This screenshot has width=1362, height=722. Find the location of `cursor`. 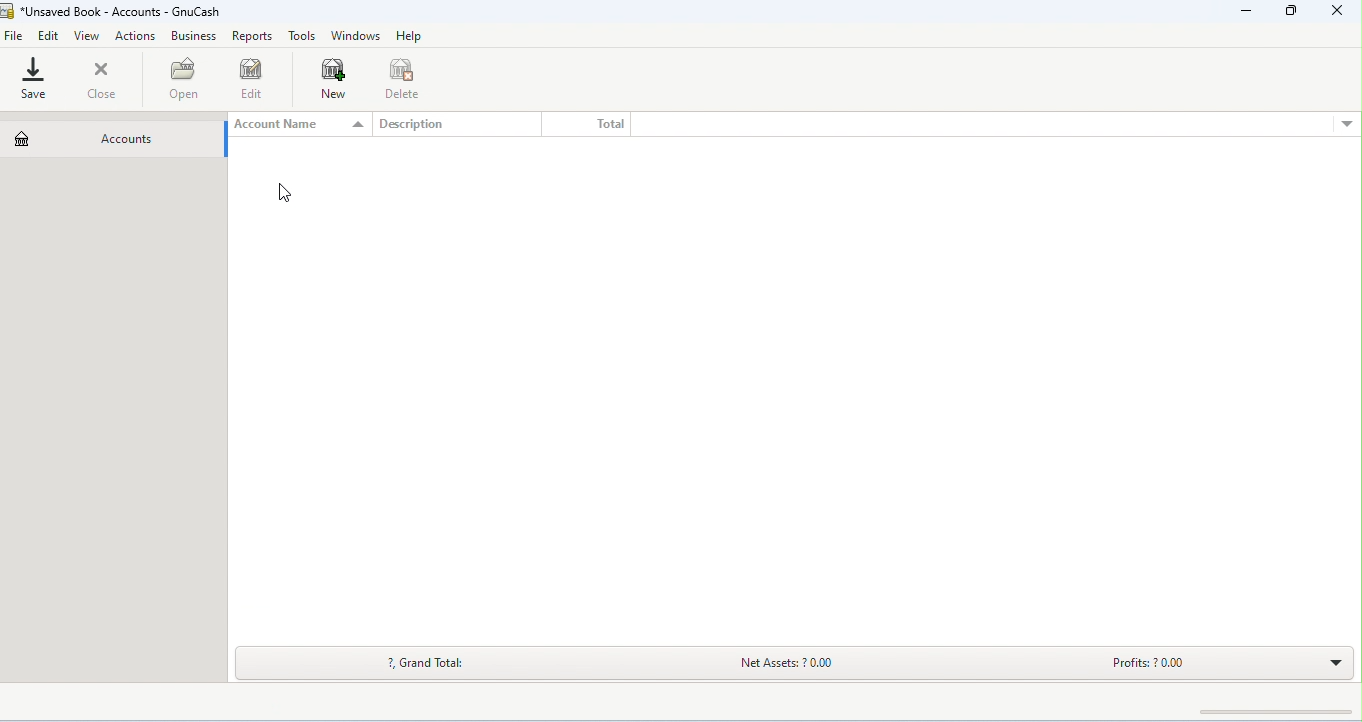

cursor is located at coordinates (282, 193).